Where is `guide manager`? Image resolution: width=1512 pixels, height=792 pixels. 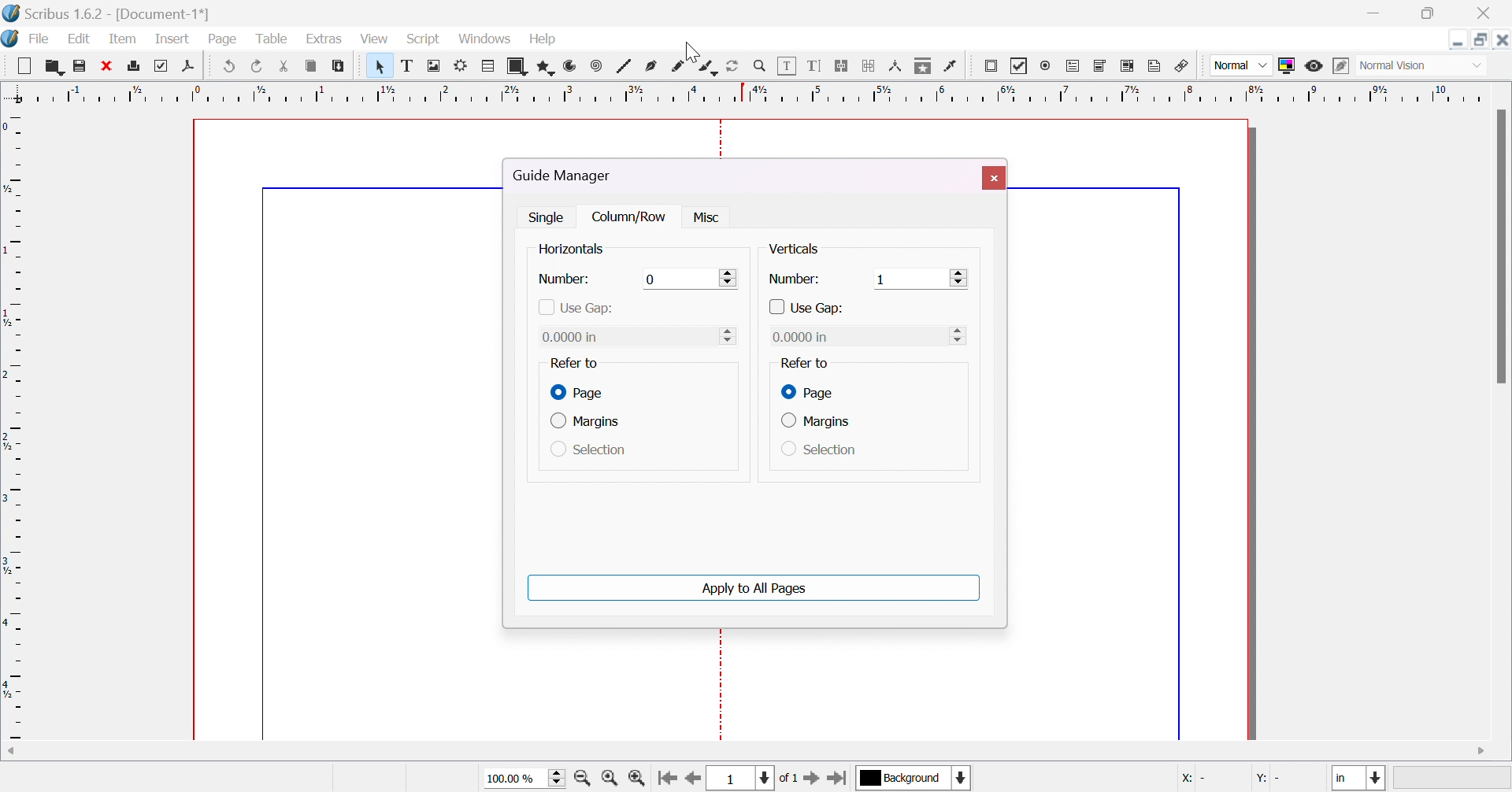 guide manager is located at coordinates (568, 176).